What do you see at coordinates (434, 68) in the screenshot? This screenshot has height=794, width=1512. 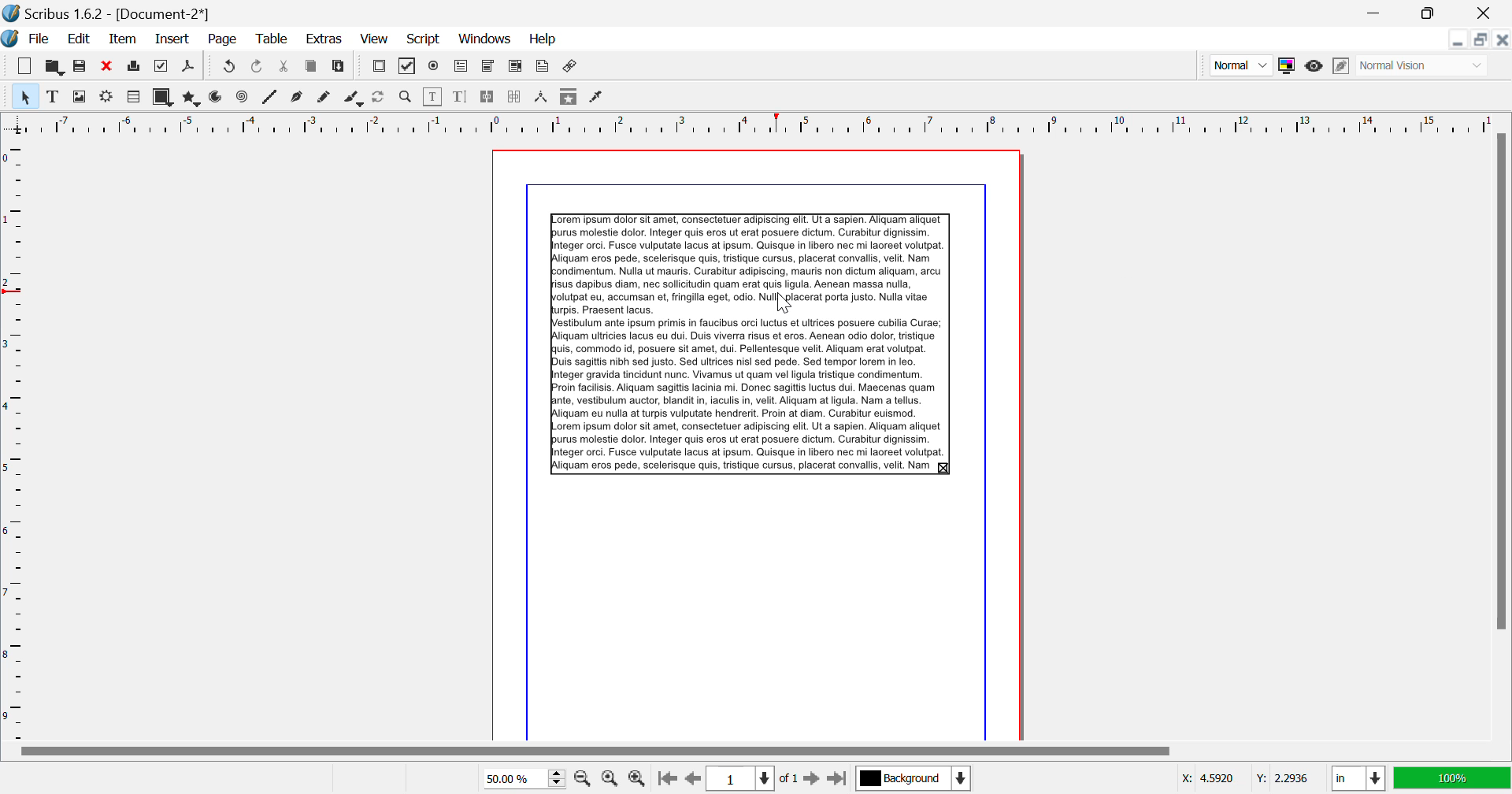 I see `Pdf Radio Button` at bounding box center [434, 68].